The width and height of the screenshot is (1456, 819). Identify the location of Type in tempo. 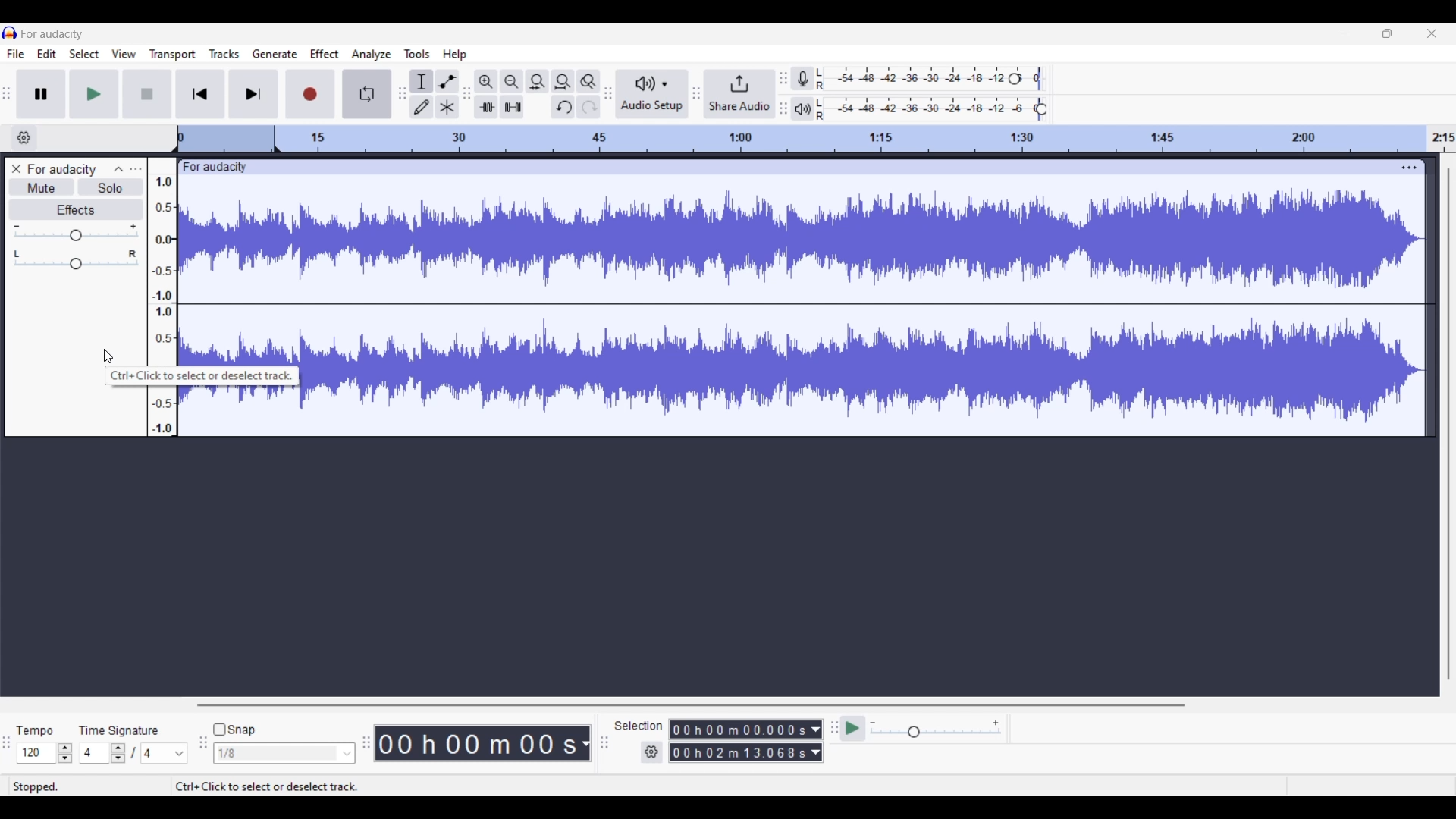
(36, 753).